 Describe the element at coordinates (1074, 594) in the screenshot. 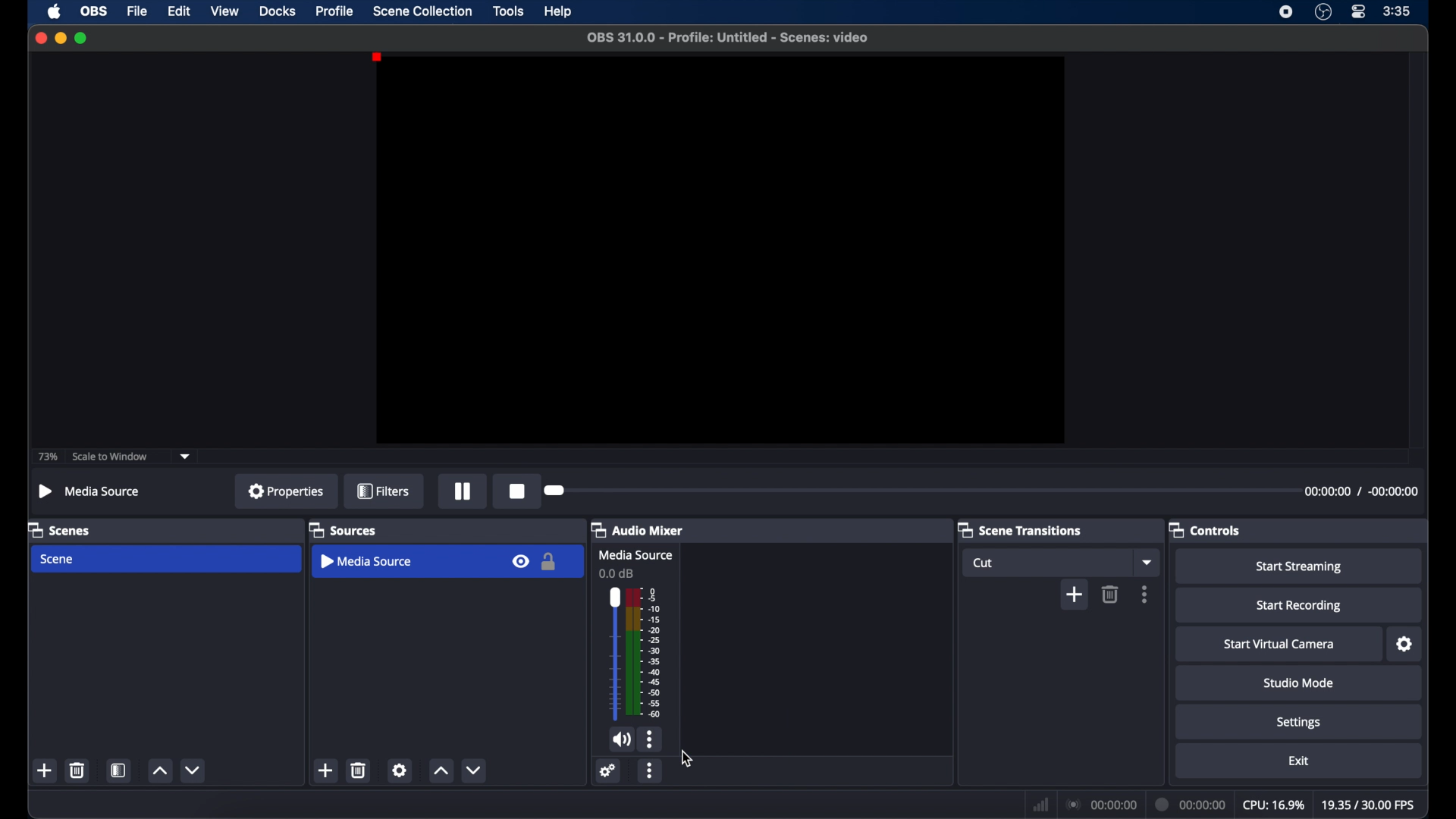

I see `add` at that location.